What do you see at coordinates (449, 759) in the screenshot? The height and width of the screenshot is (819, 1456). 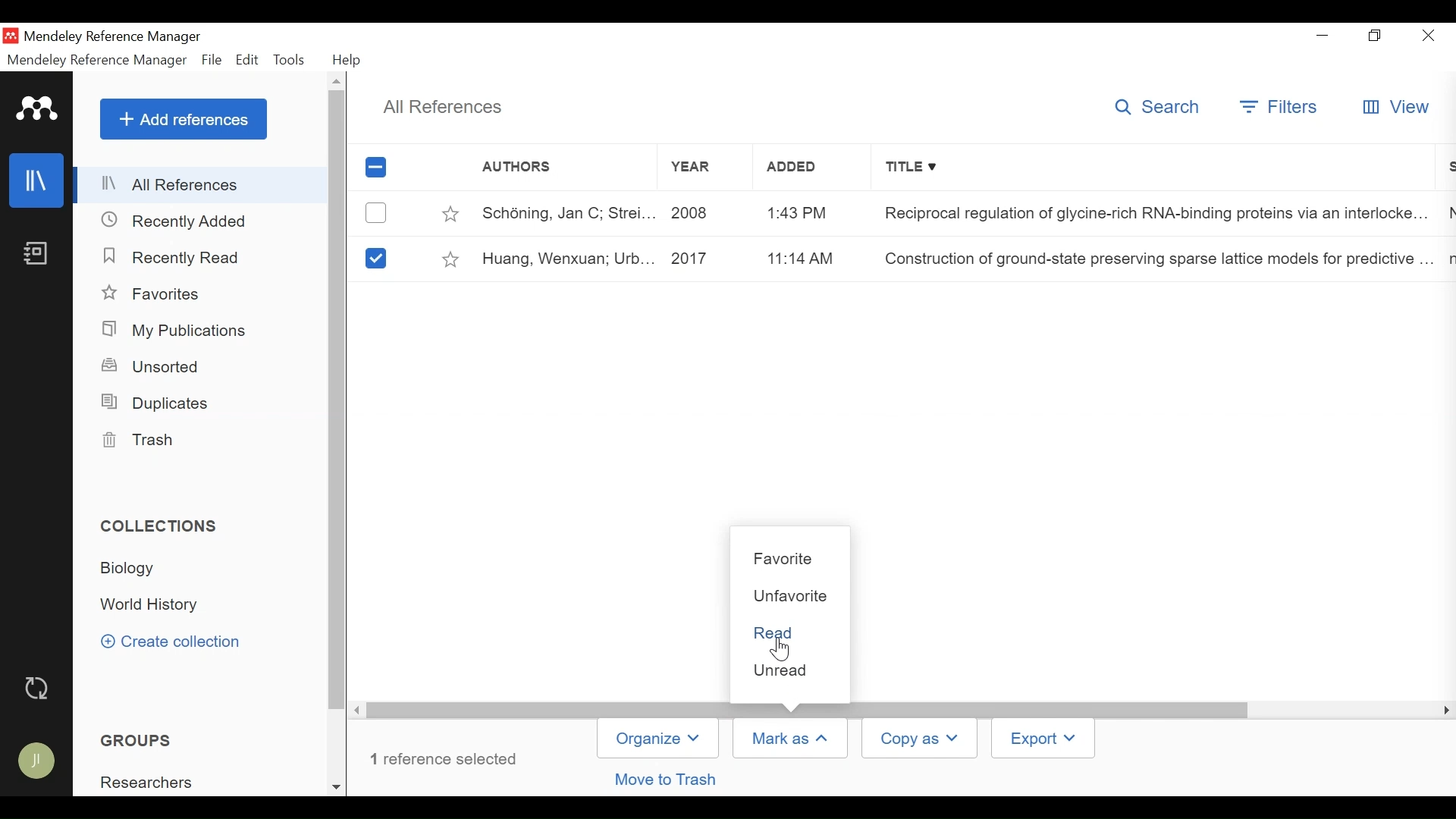 I see `number of reference selected` at bounding box center [449, 759].